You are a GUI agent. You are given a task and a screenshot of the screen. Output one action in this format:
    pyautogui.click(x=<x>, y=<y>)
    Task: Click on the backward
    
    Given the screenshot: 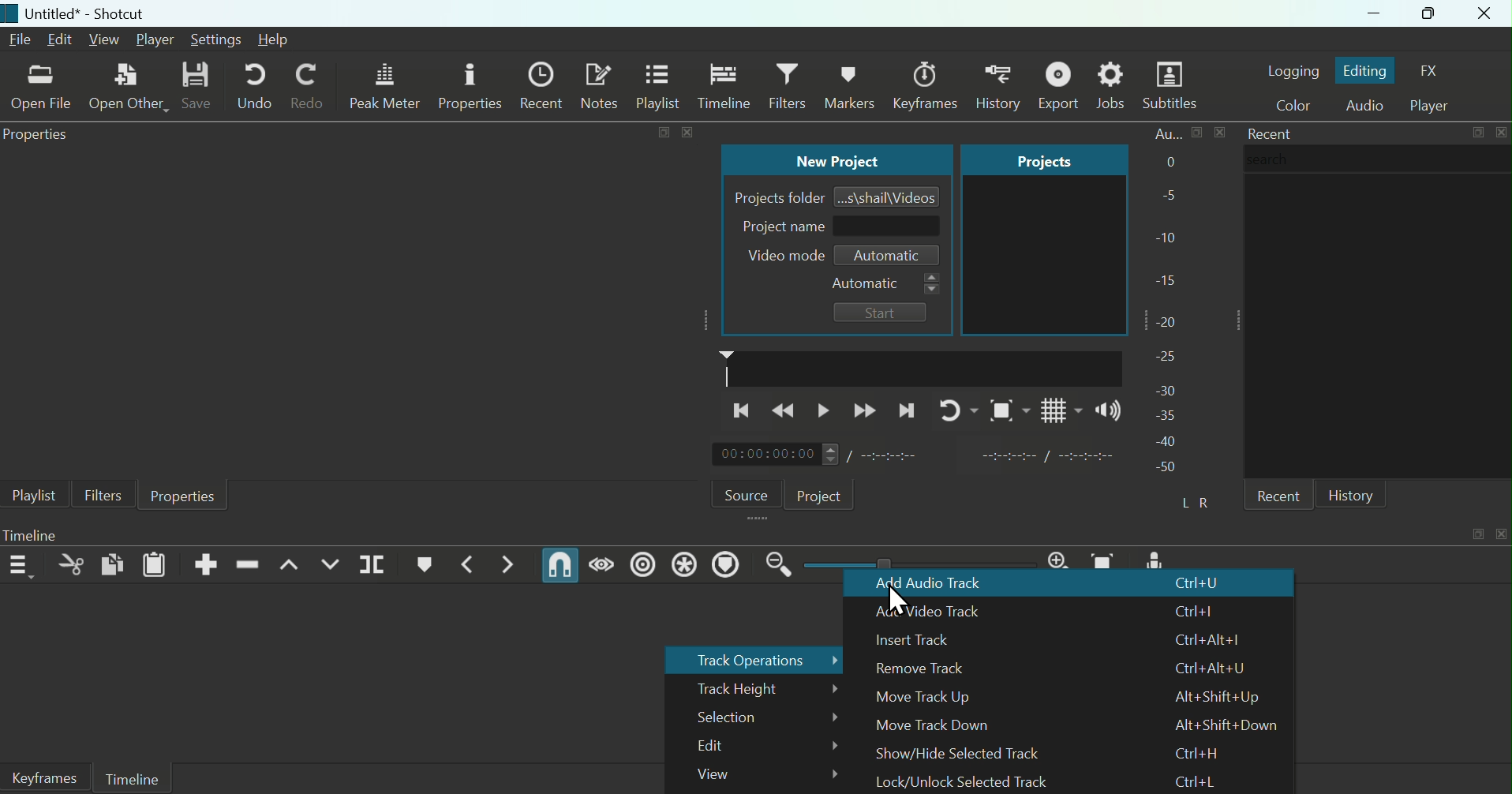 What is the action you would take?
    pyautogui.click(x=788, y=412)
    